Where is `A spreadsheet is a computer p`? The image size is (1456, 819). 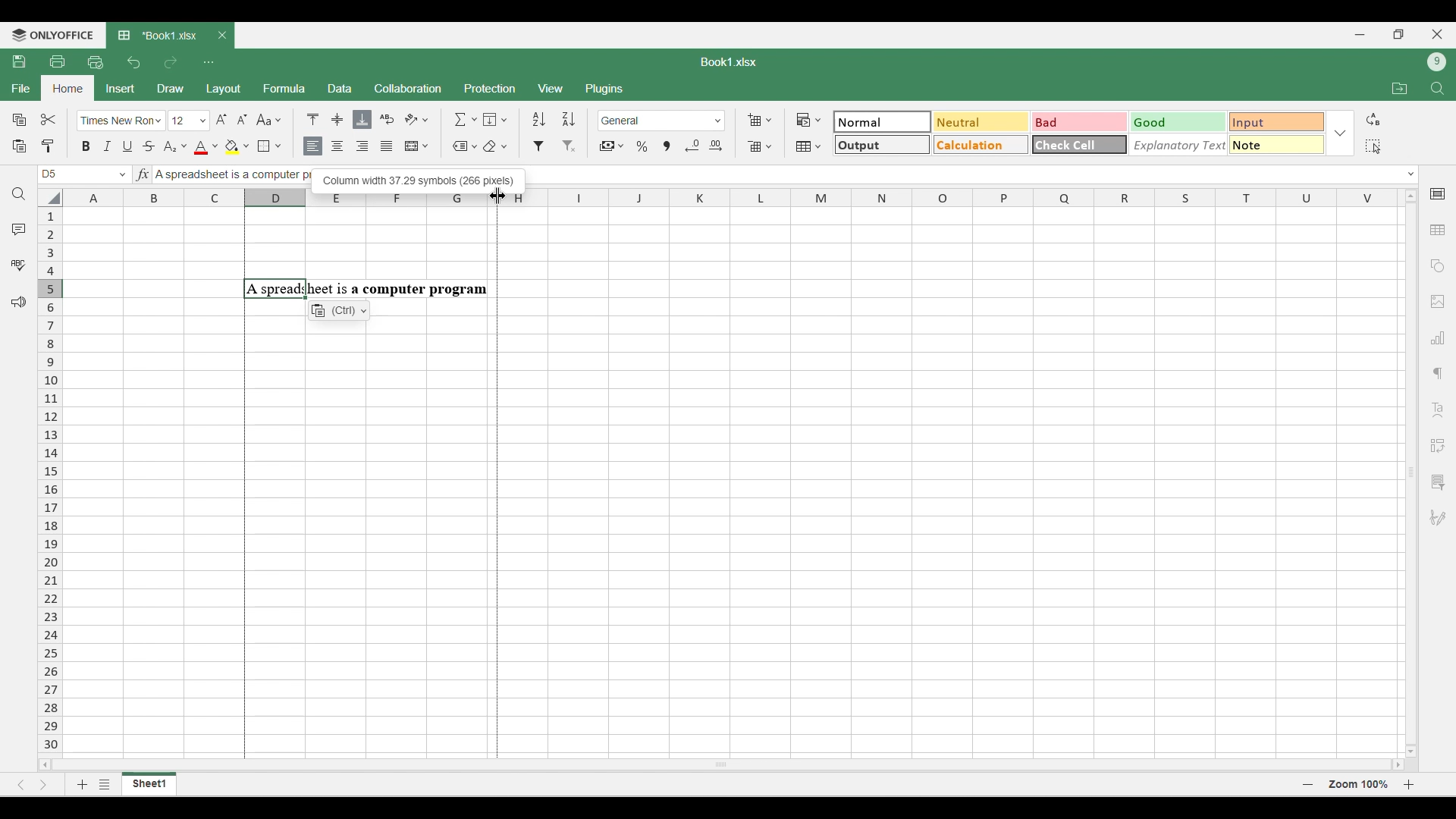
A spreadsheet is a computer p is located at coordinates (229, 176).